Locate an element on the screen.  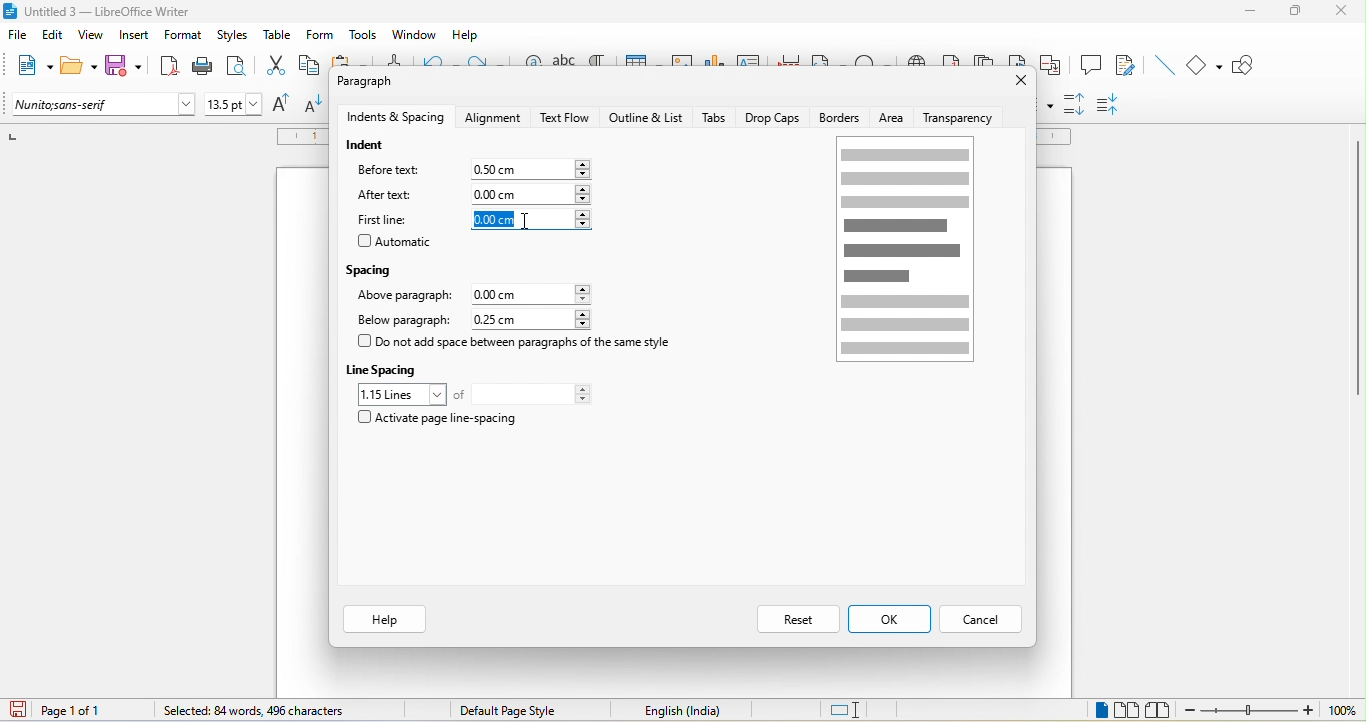
checkbox is located at coordinates (364, 240).